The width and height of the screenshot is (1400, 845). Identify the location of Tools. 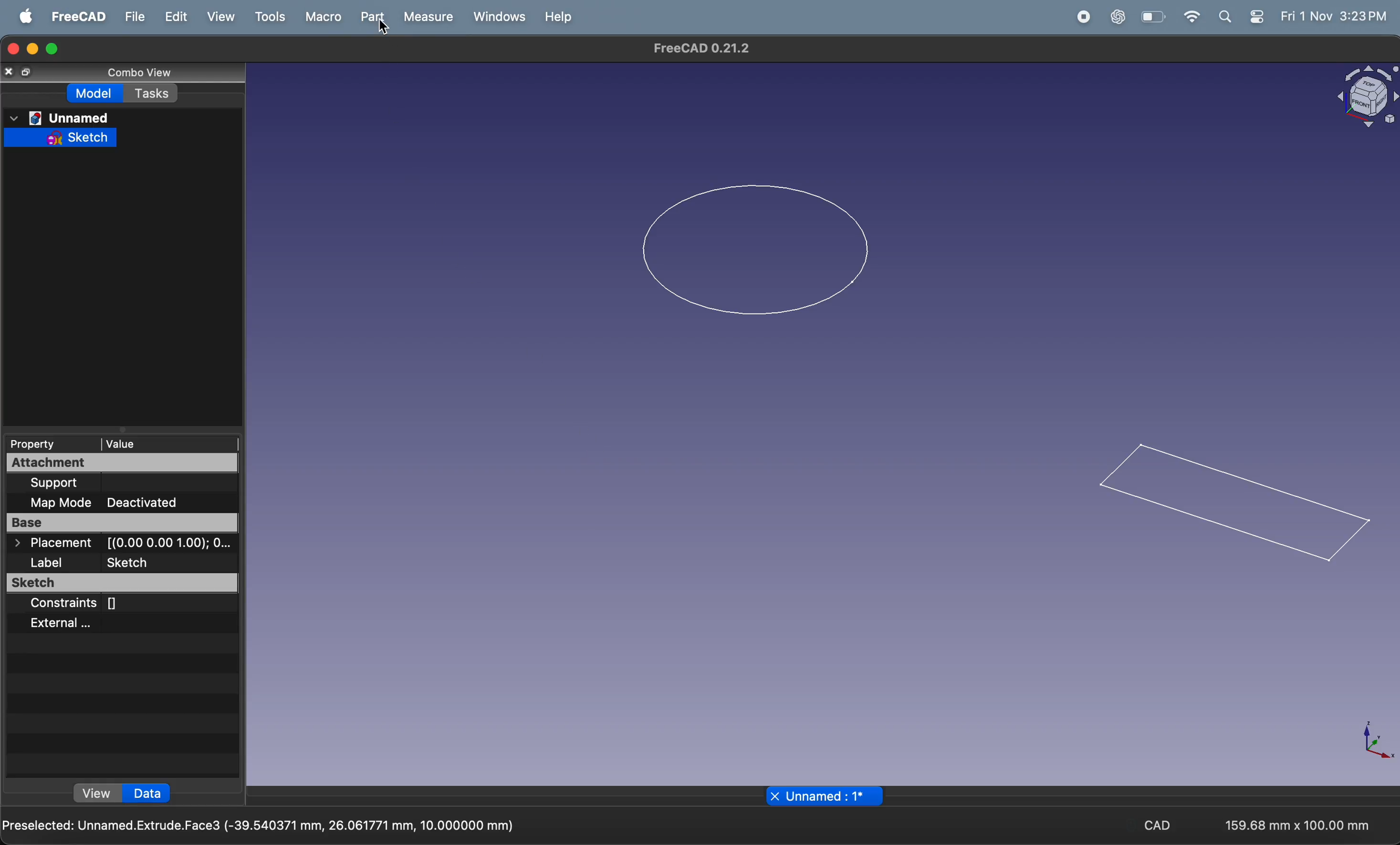
(269, 17).